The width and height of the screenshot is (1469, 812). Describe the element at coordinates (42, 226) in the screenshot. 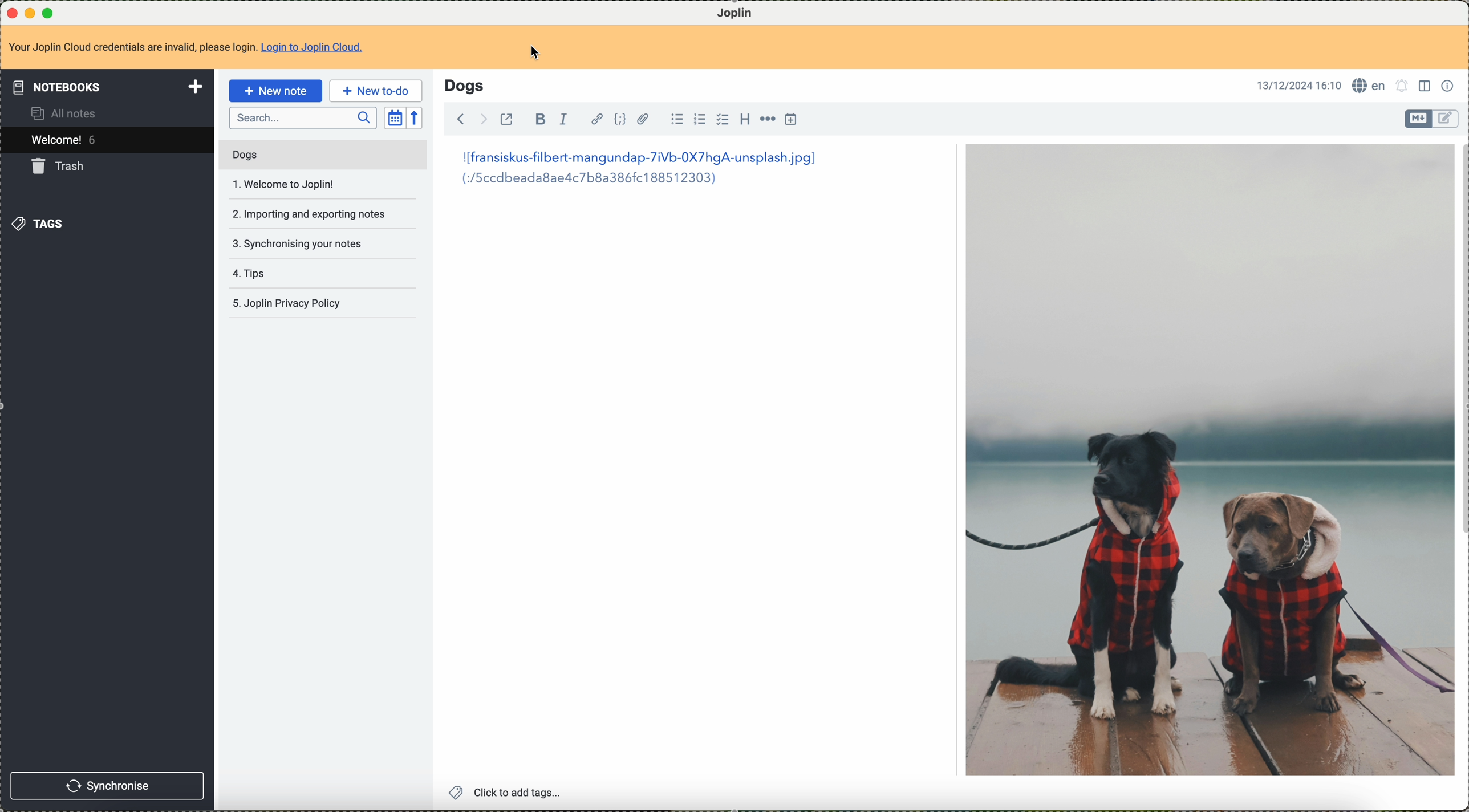

I see `tags` at that location.